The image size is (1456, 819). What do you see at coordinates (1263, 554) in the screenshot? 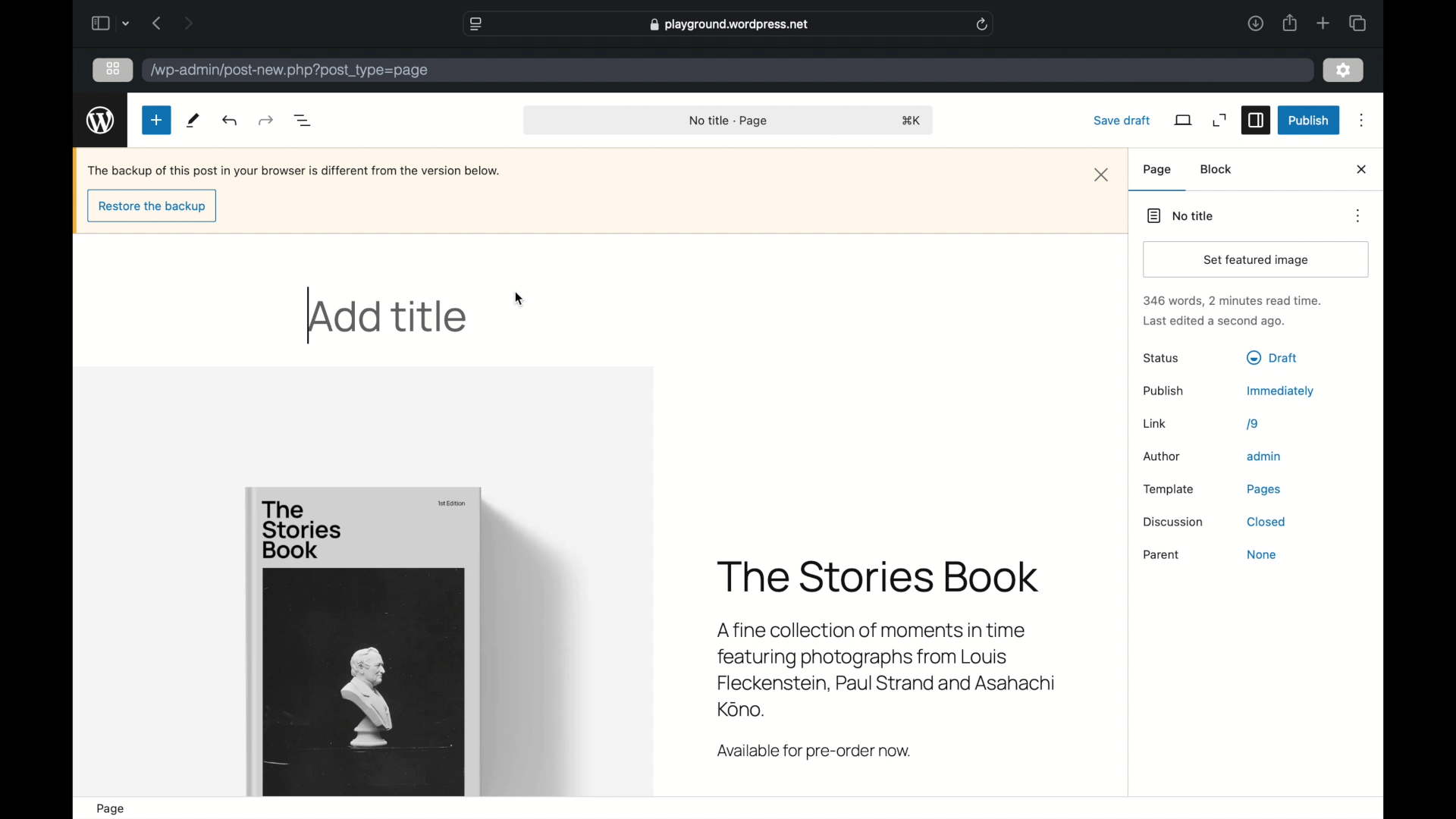
I see `none` at bounding box center [1263, 554].